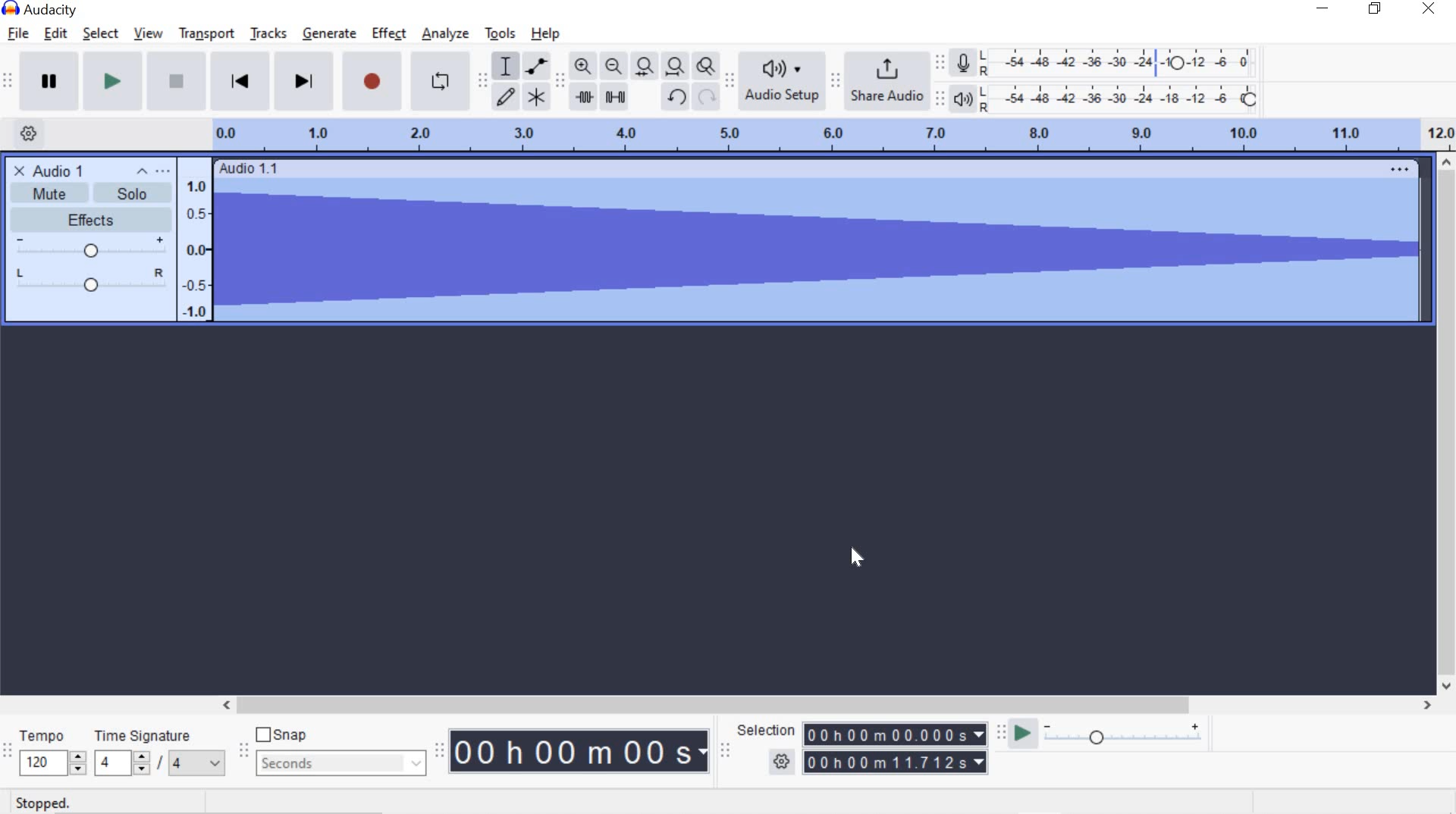 This screenshot has height=814, width=1456. I want to click on time, so click(581, 751).